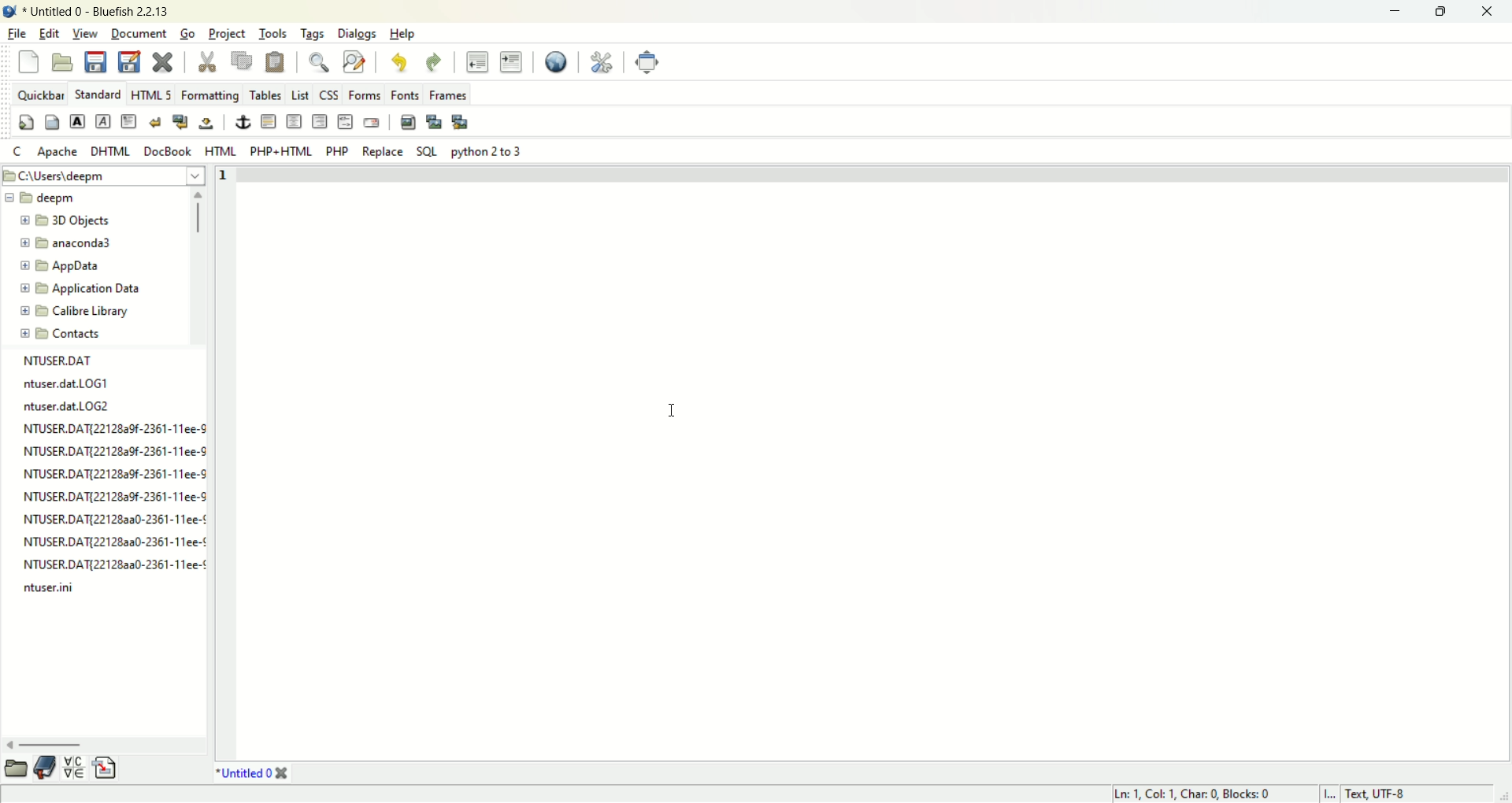 Image resolution: width=1512 pixels, height=803 pixels. What do you see at coordinates (1395, 794) in the screenshot?
I see `character encoding` at bounding box center [1395, 794].